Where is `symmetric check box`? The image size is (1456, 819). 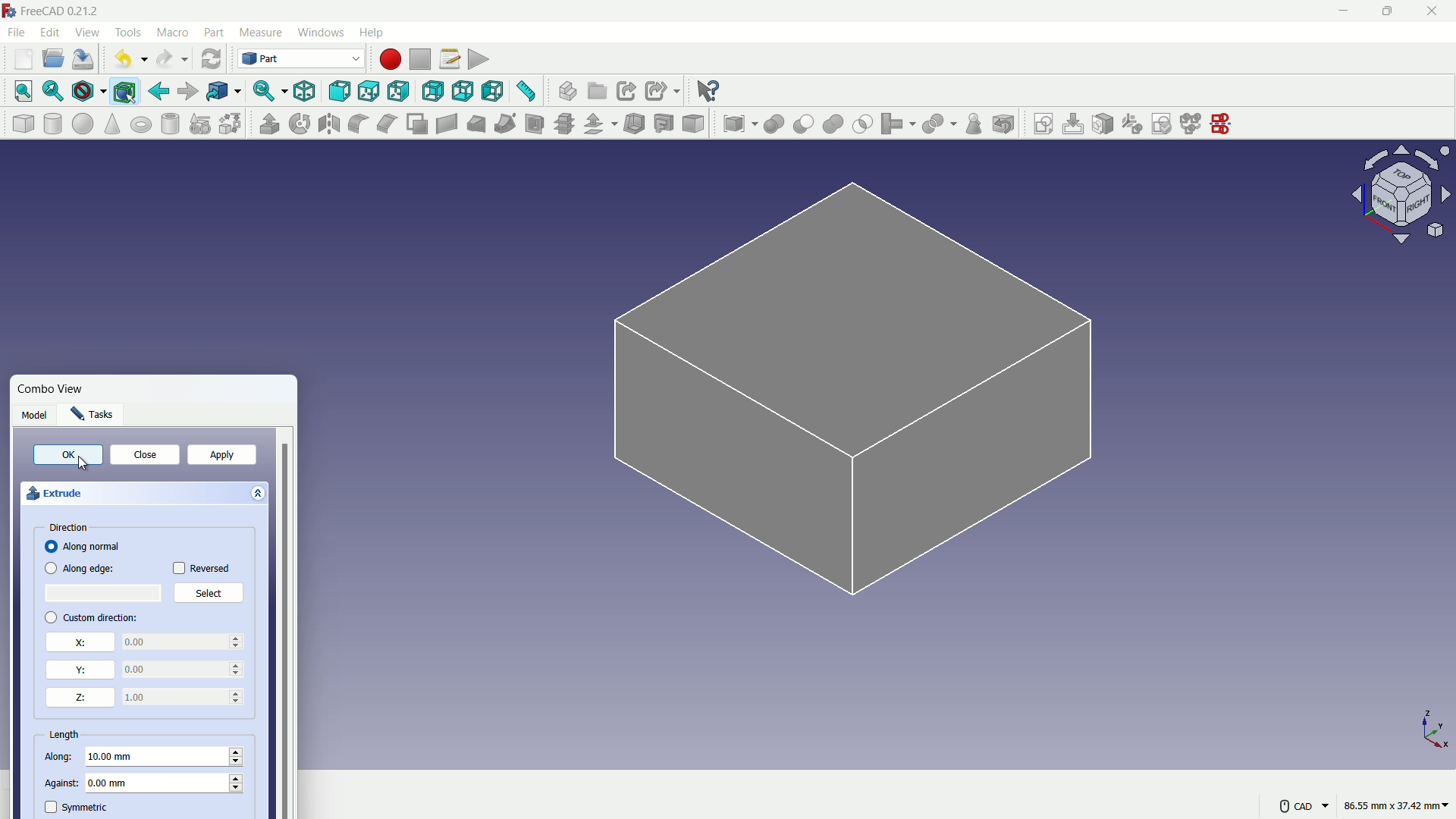
symmetric check box is located at coordinates (53, 806).